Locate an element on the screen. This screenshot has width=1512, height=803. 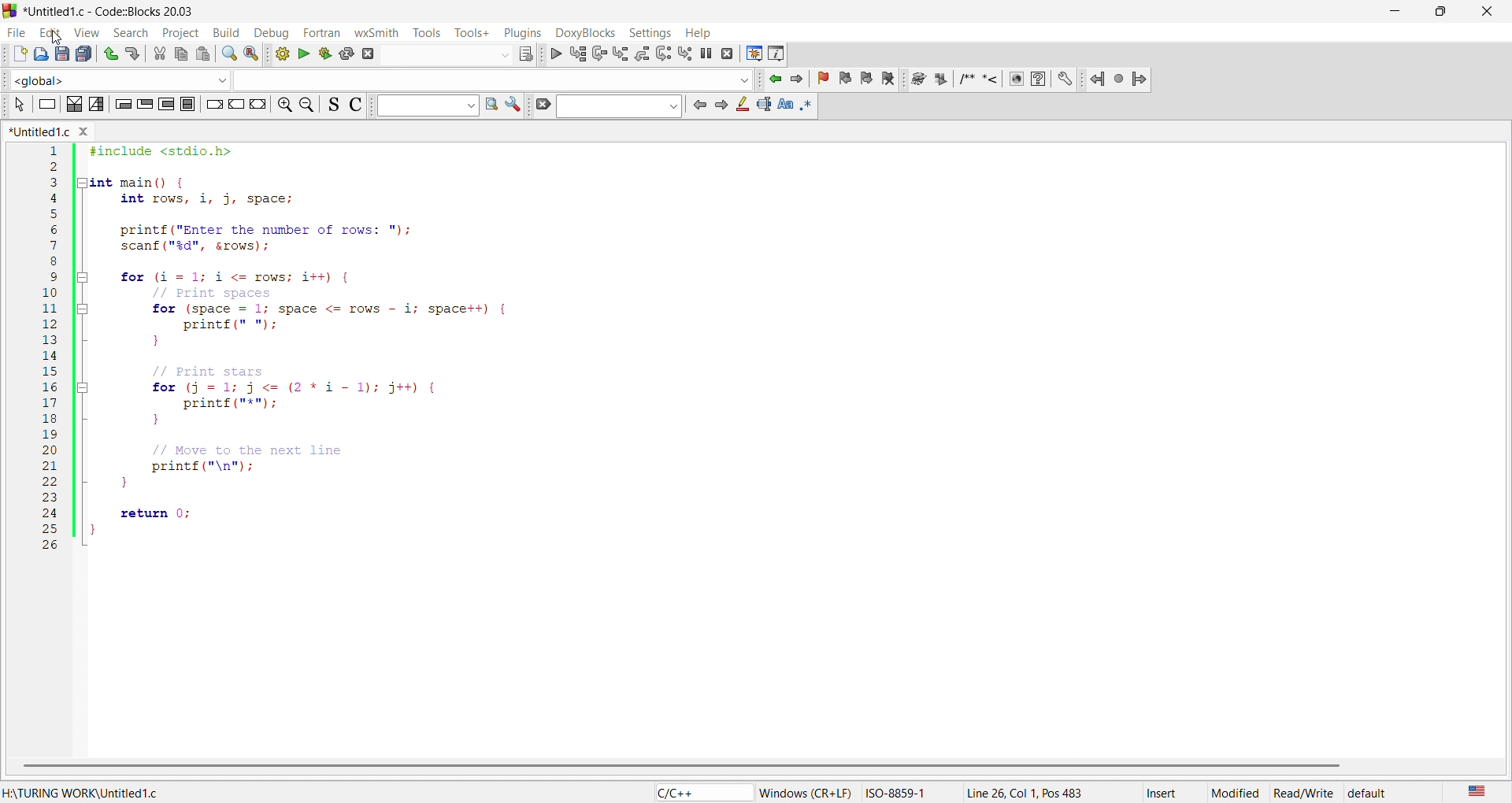
project is located at coordinates (180, 31).